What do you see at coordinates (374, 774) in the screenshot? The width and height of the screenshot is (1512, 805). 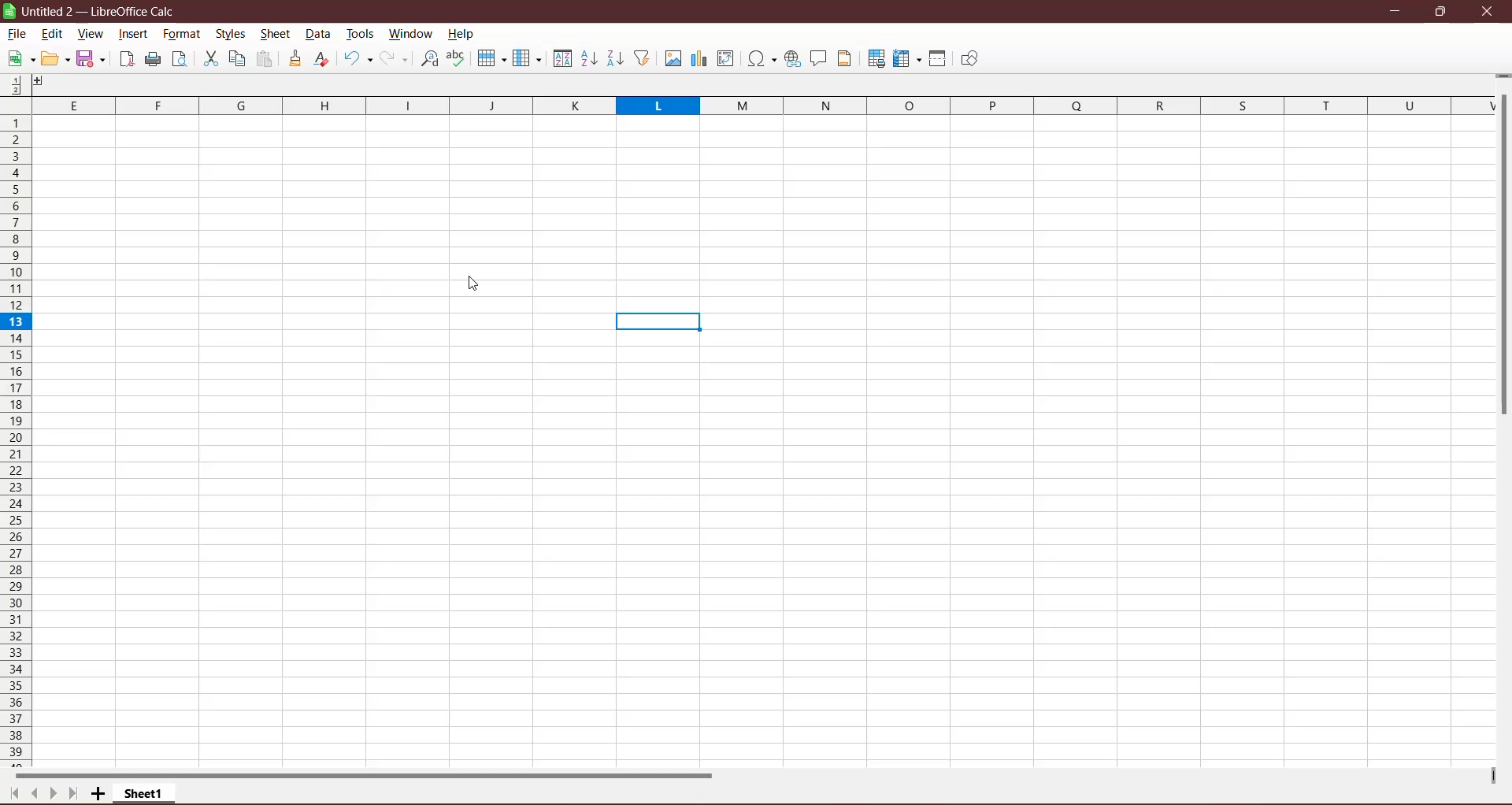 I see `Horizontal Scroll Bar` at bounding box center [374, 774].